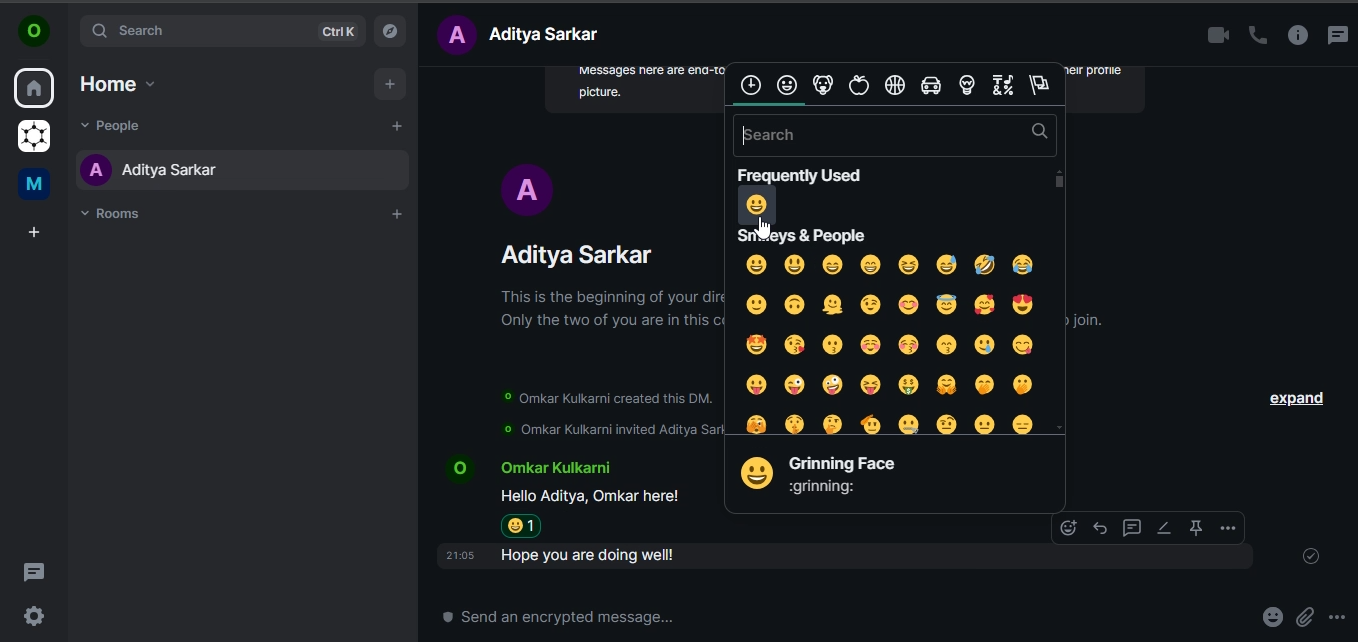  Describe the element at coordinates (756, 264) in the screenshot. I see `grinning face` at that location.